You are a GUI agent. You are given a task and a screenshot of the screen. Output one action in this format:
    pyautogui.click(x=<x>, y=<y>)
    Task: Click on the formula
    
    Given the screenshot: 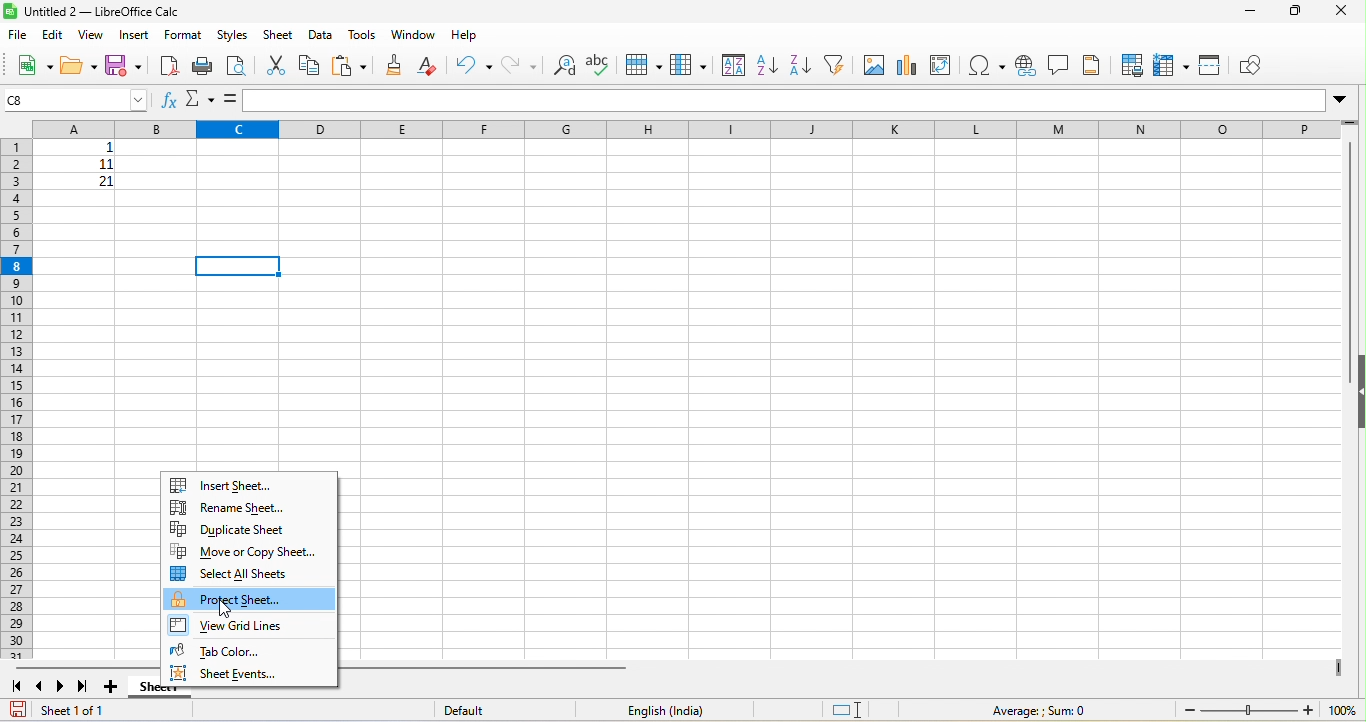 What is the action you would take?
    pyautogui.click(x=1036, y=710)
    